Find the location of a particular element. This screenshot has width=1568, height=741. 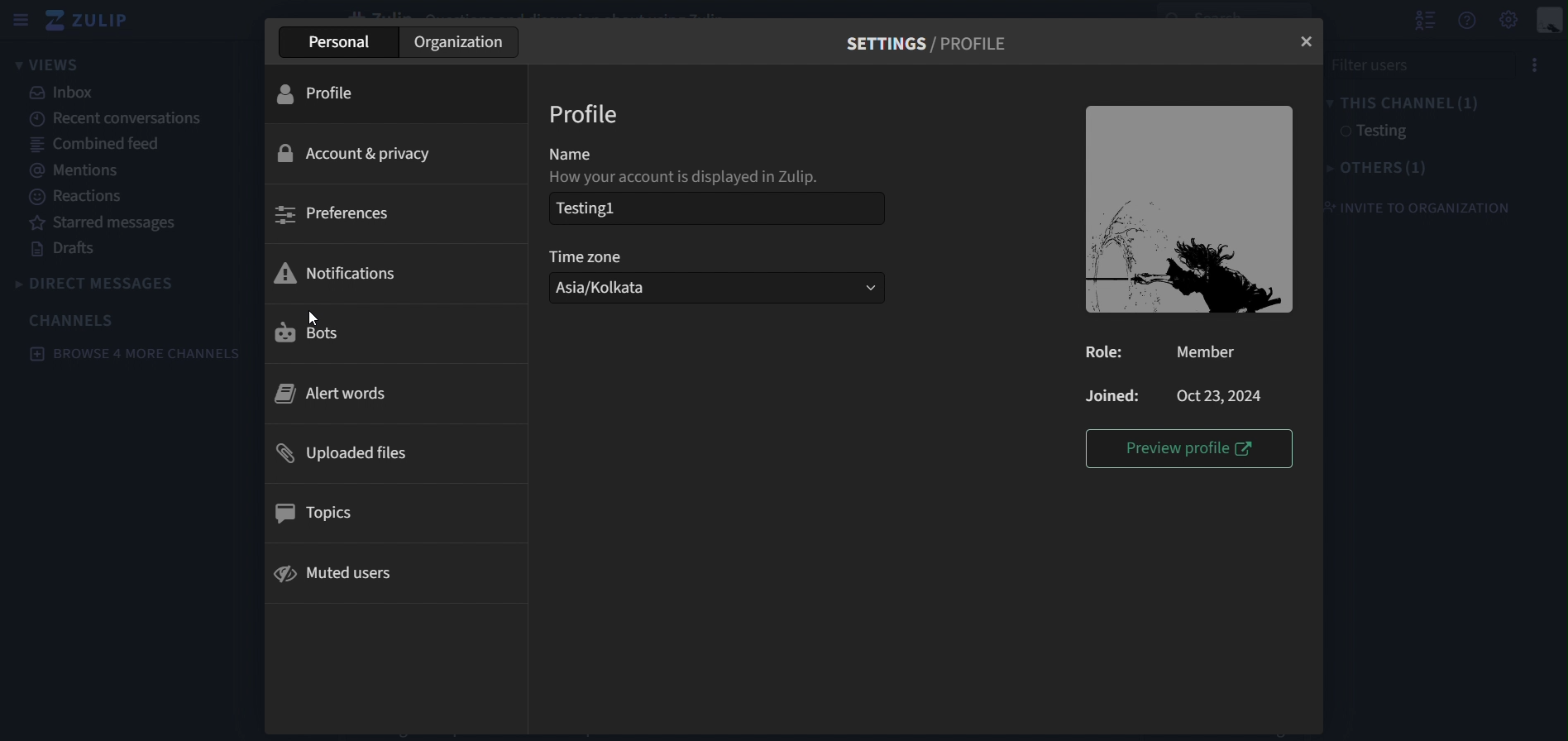

persoanl is located at coordinates (342, 41).